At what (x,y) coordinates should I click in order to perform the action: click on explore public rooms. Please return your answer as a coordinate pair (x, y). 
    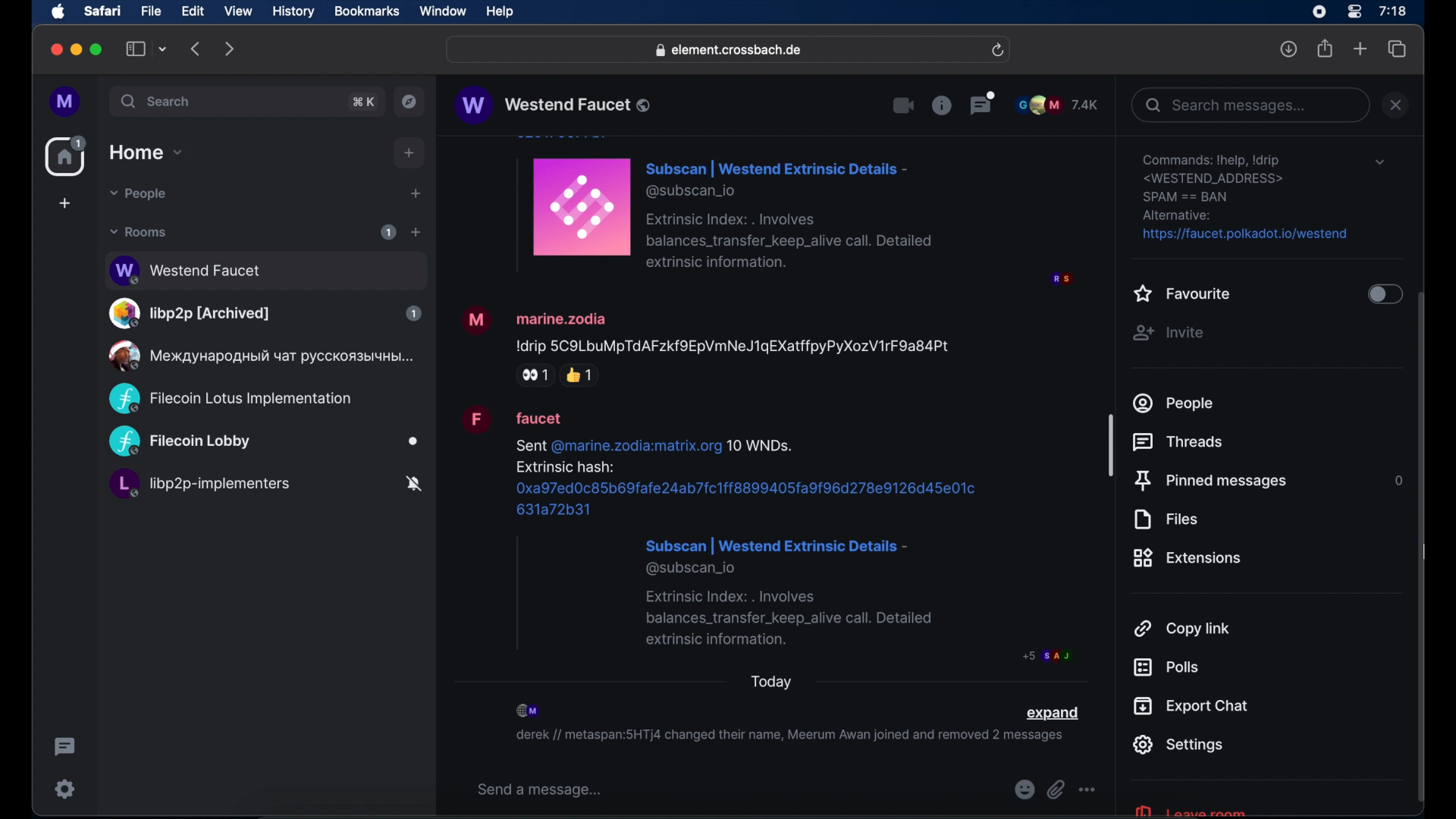
    Looking at the image, I should click on (409, 102).